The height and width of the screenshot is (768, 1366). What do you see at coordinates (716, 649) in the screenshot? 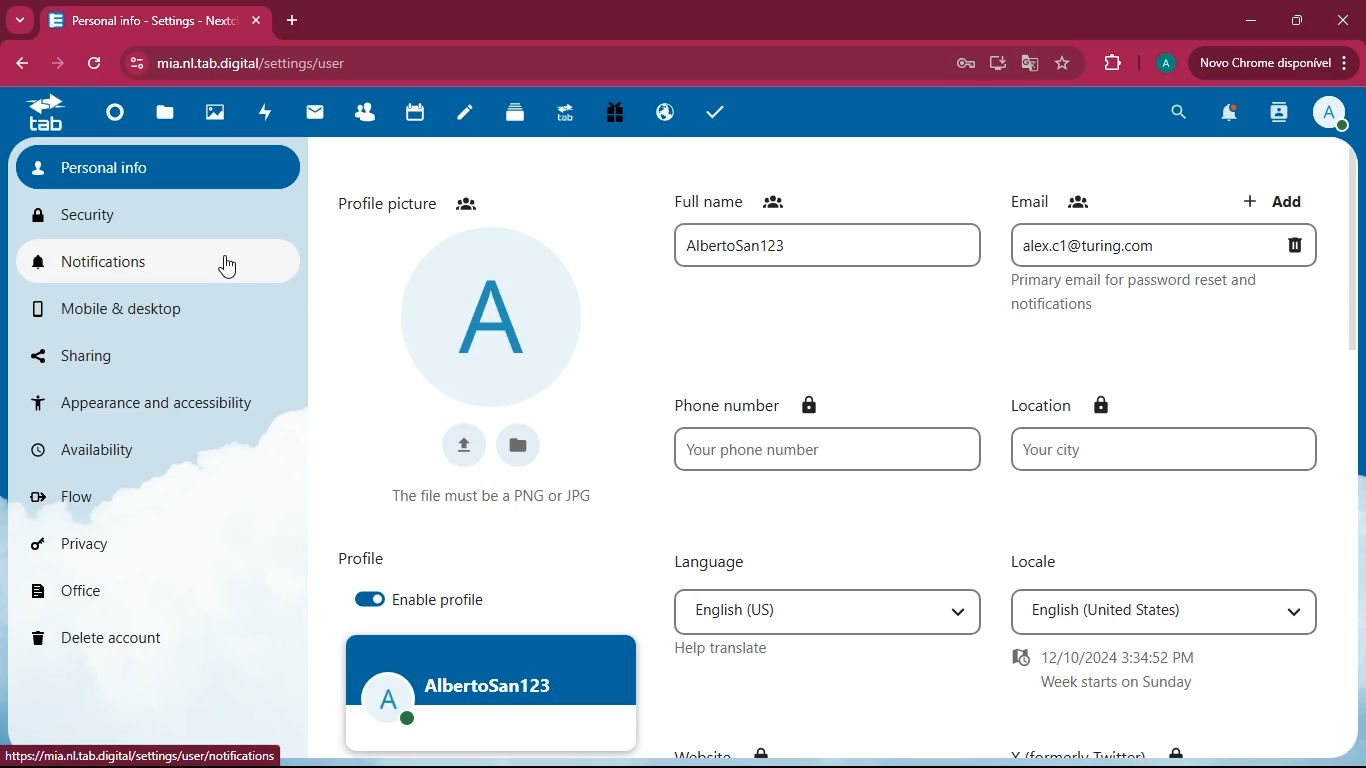
I see `help` at bounding box center [716, 649].